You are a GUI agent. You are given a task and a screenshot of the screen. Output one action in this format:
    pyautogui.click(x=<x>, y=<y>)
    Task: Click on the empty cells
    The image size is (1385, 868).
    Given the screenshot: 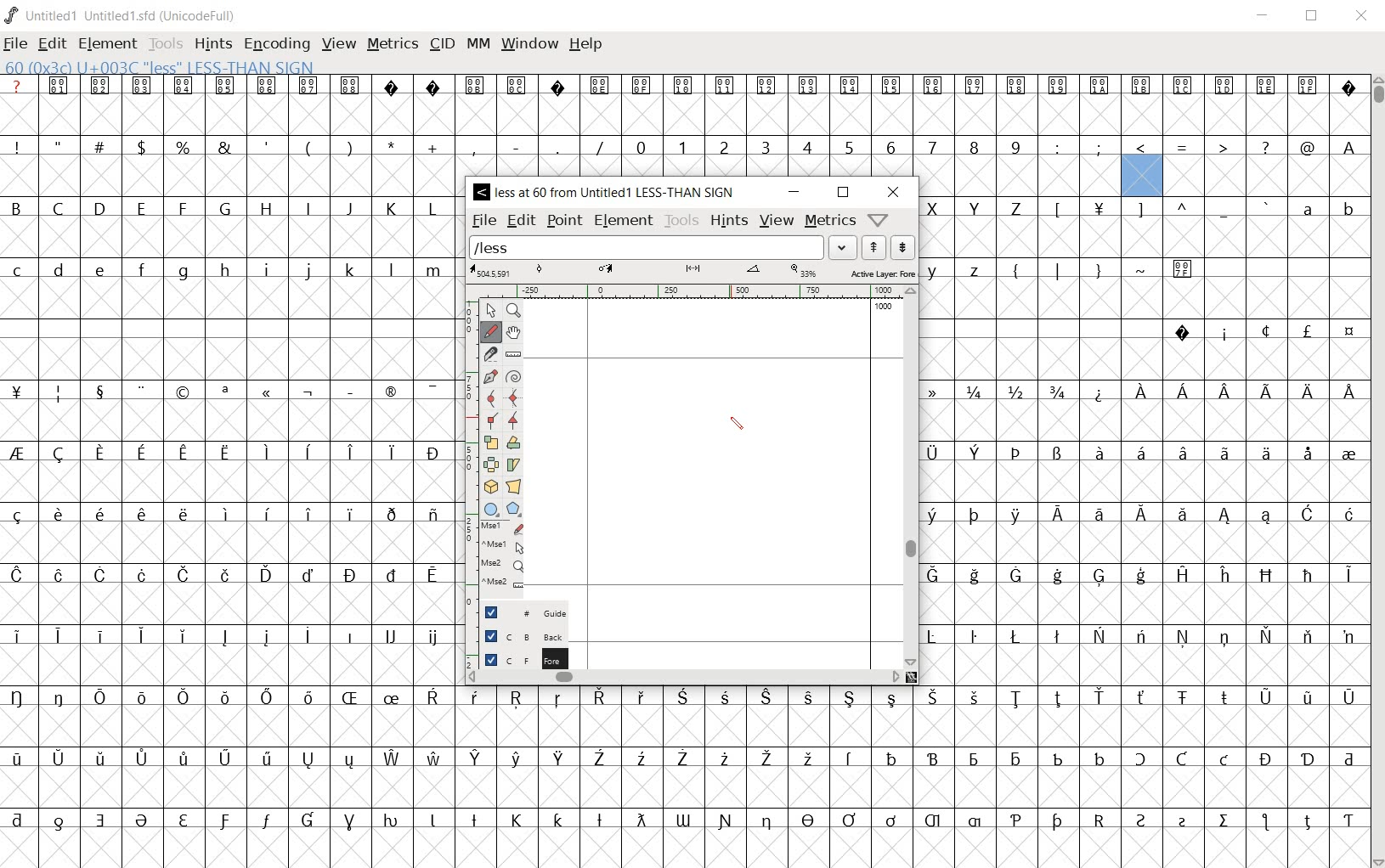 What is the action you would take?
    pyautogui.click(x=682, y=846)
    